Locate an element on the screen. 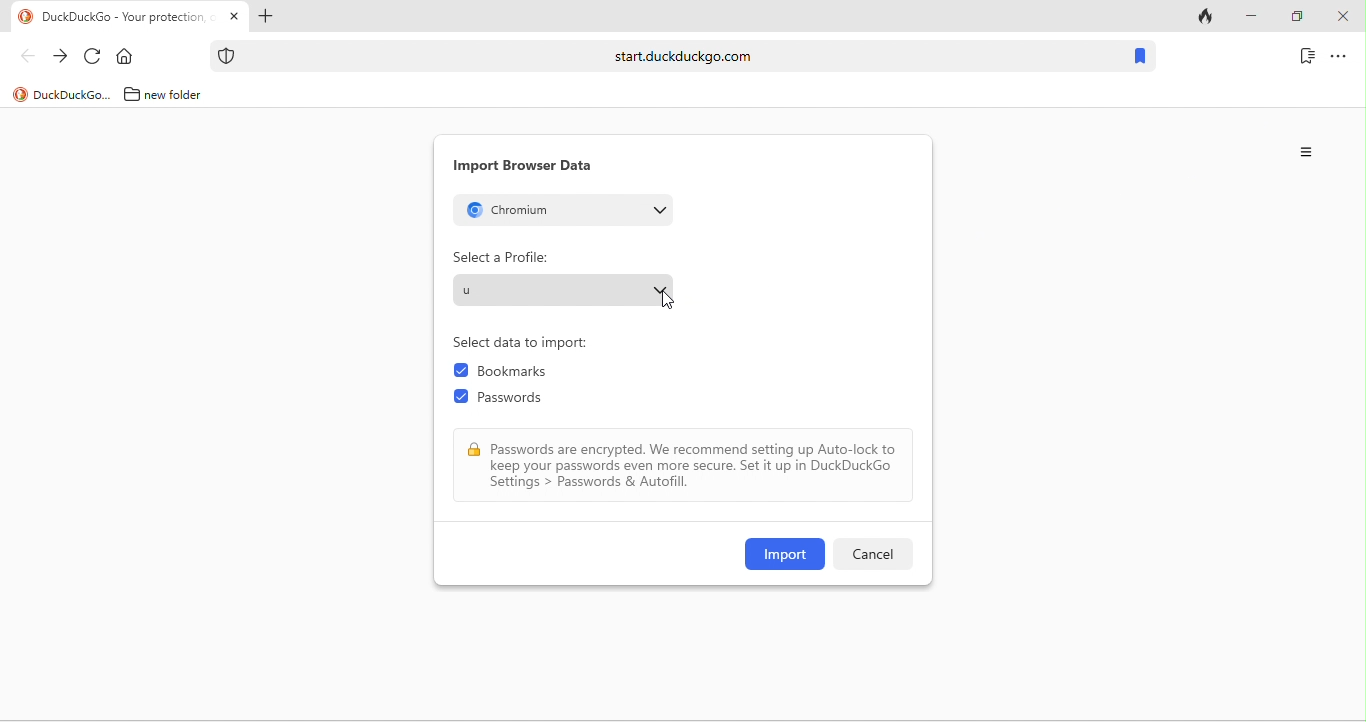  close tab is located at coordinates (234, 17).